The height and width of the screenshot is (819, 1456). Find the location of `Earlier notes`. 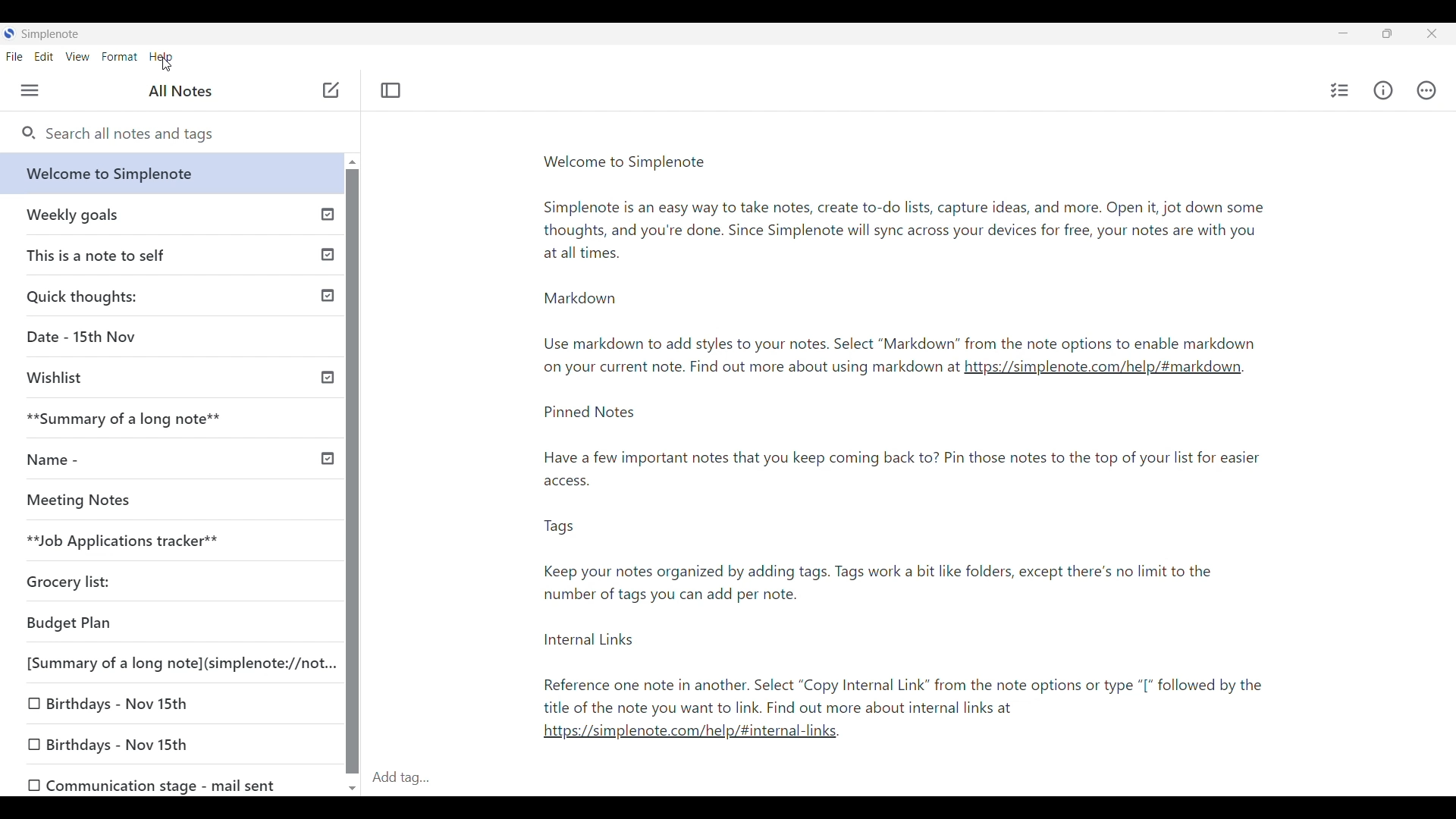

Earlier notes is located at coordinates (152, 214).